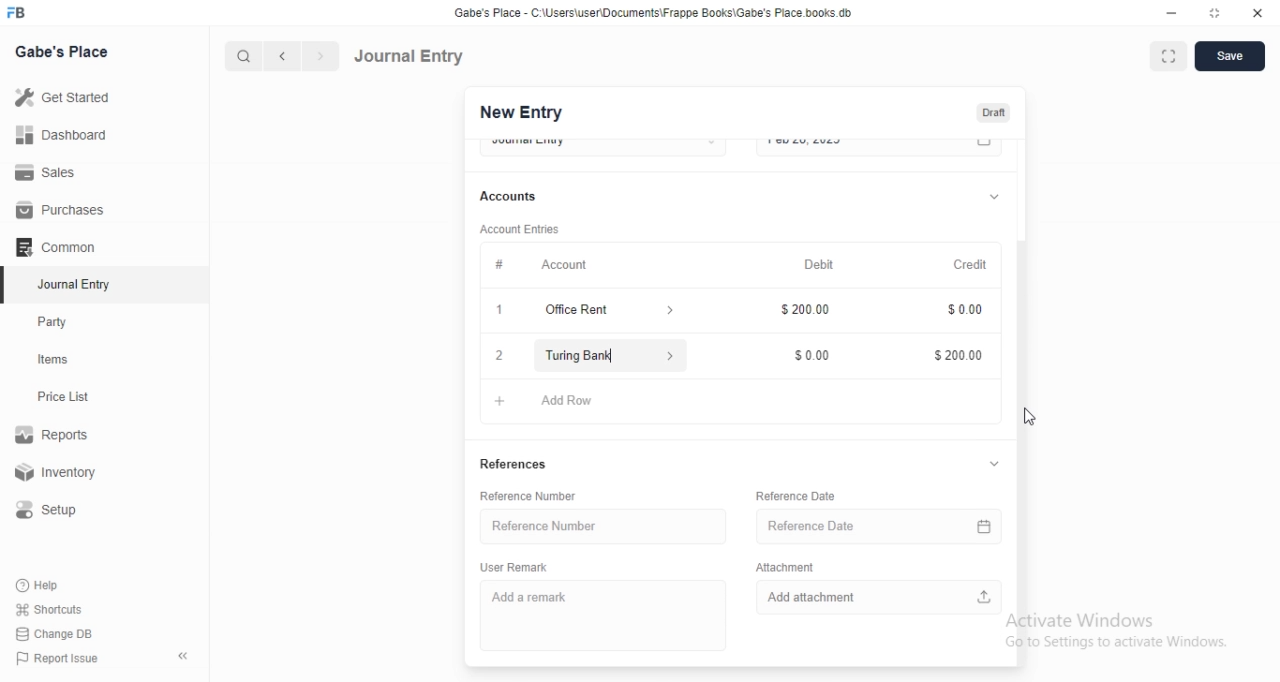 The width and height of the screenshot is (1280, 682). I want to click on Debit, so click(821, 264).